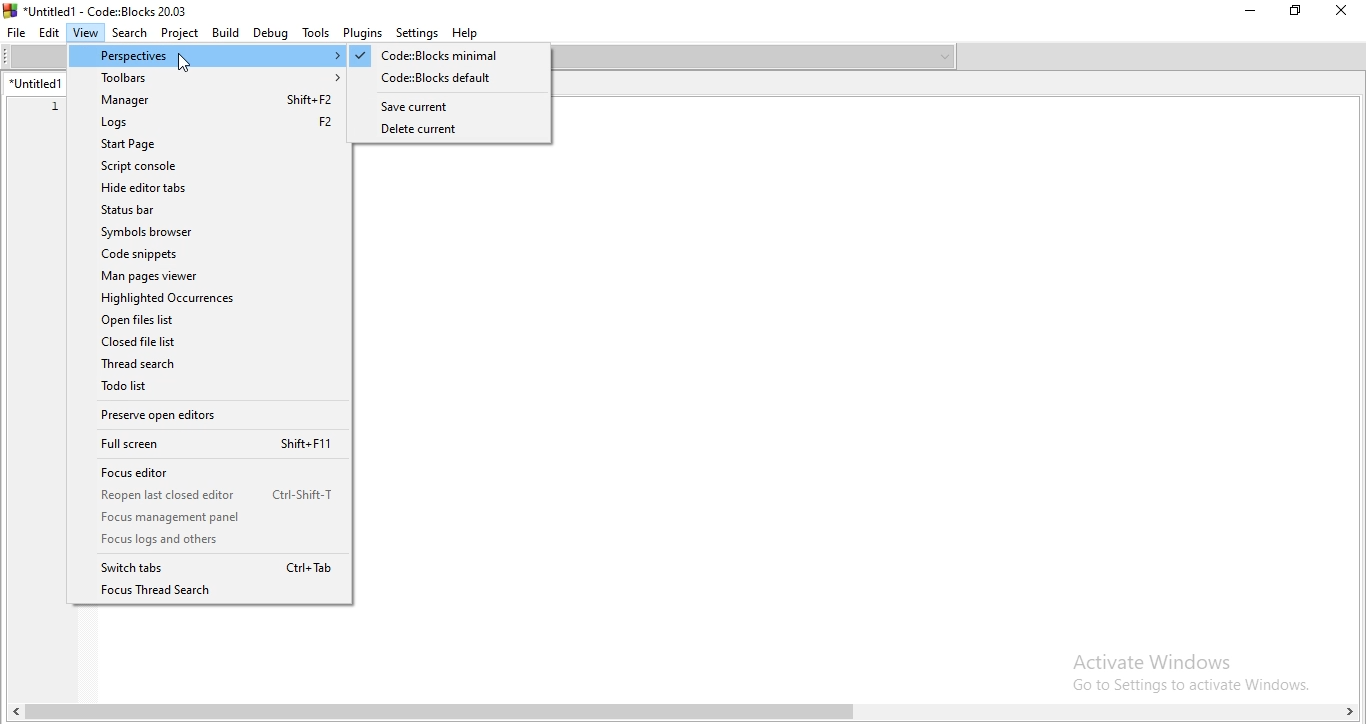  What do you see at coordinates (211, 212) in the screenshot?
I see `Status bar` at bounding box center [211, 212].